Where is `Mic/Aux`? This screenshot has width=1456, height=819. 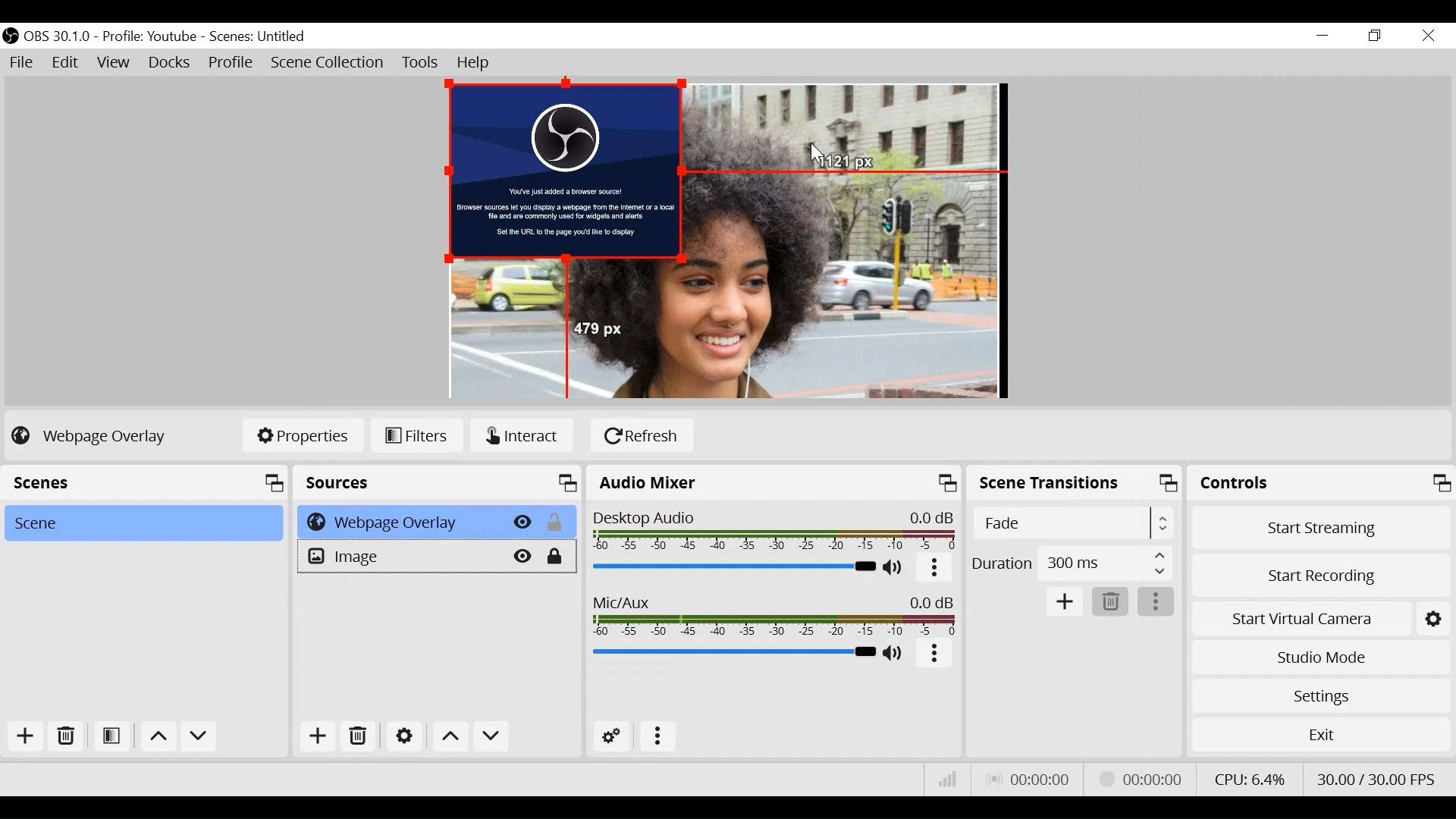
Mic/Aux is located at coordinates (777, 615).